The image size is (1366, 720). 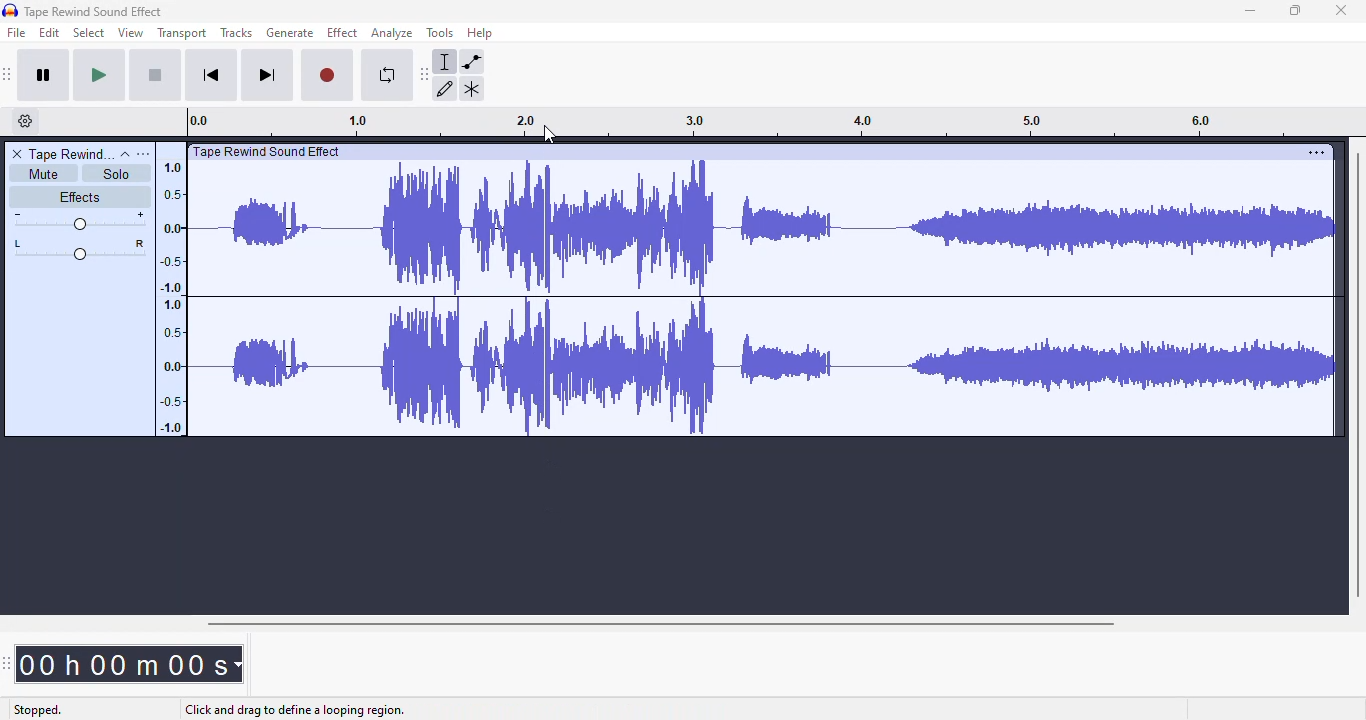 I want to click on close, so click(x=1341, y=10).